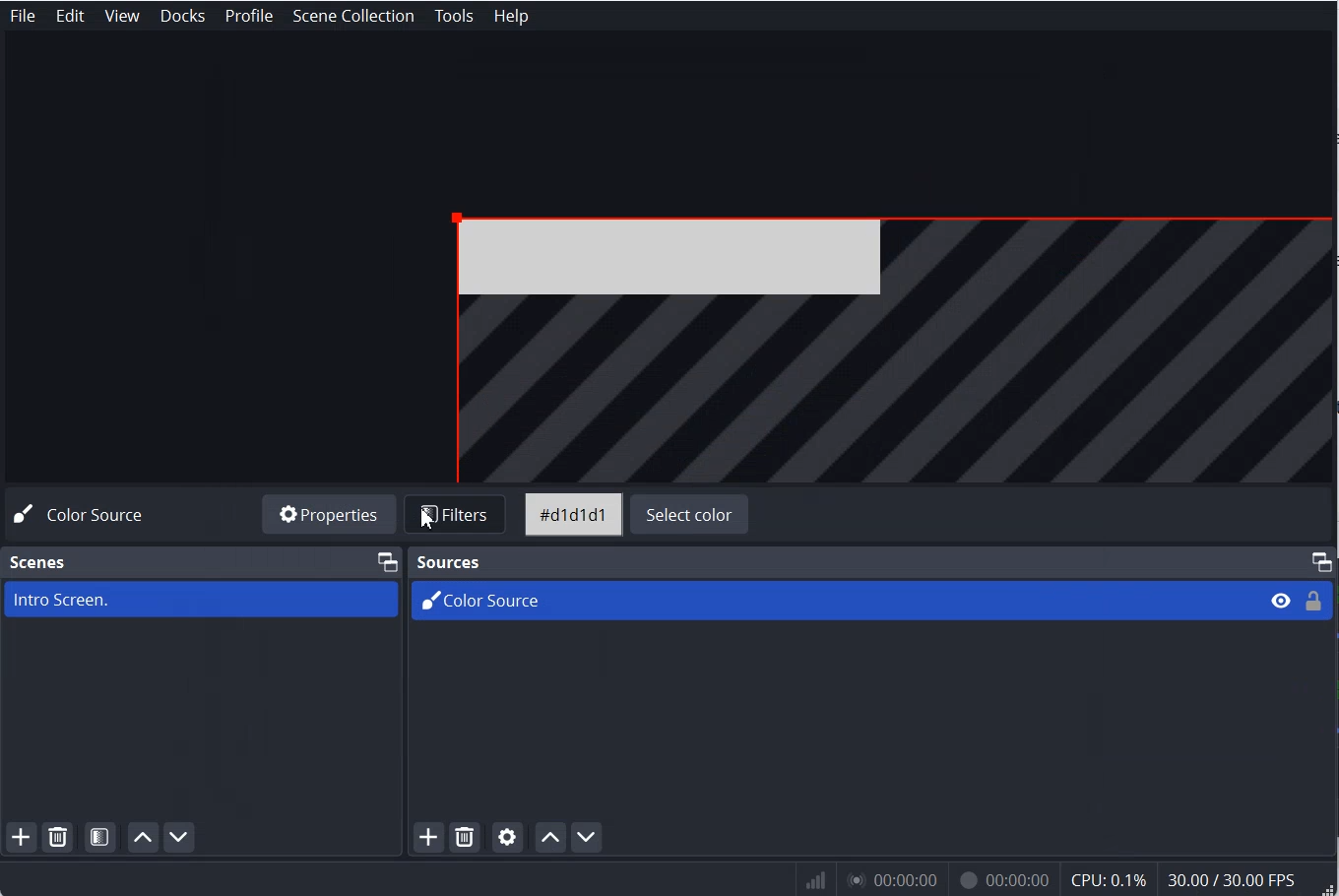 The height and width of the screenshot is (896, 1339). I want to click on Open Source properties, so click(507, 837).